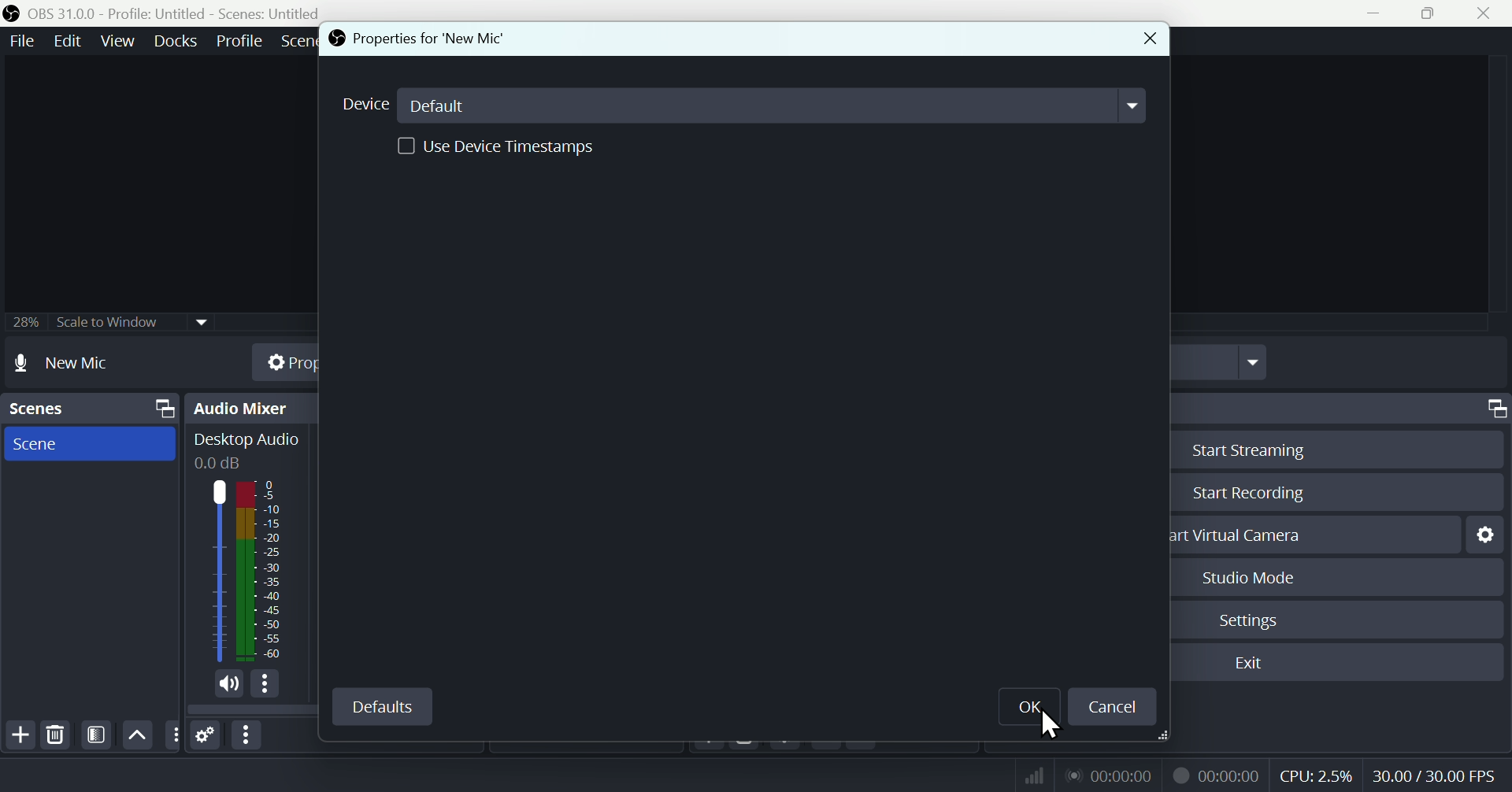 The width and height of the screenshot is (1512, 792). Describe the element at coordinates (261, 570) in the screenshot. I see `Desktop Audio bar` at that location.